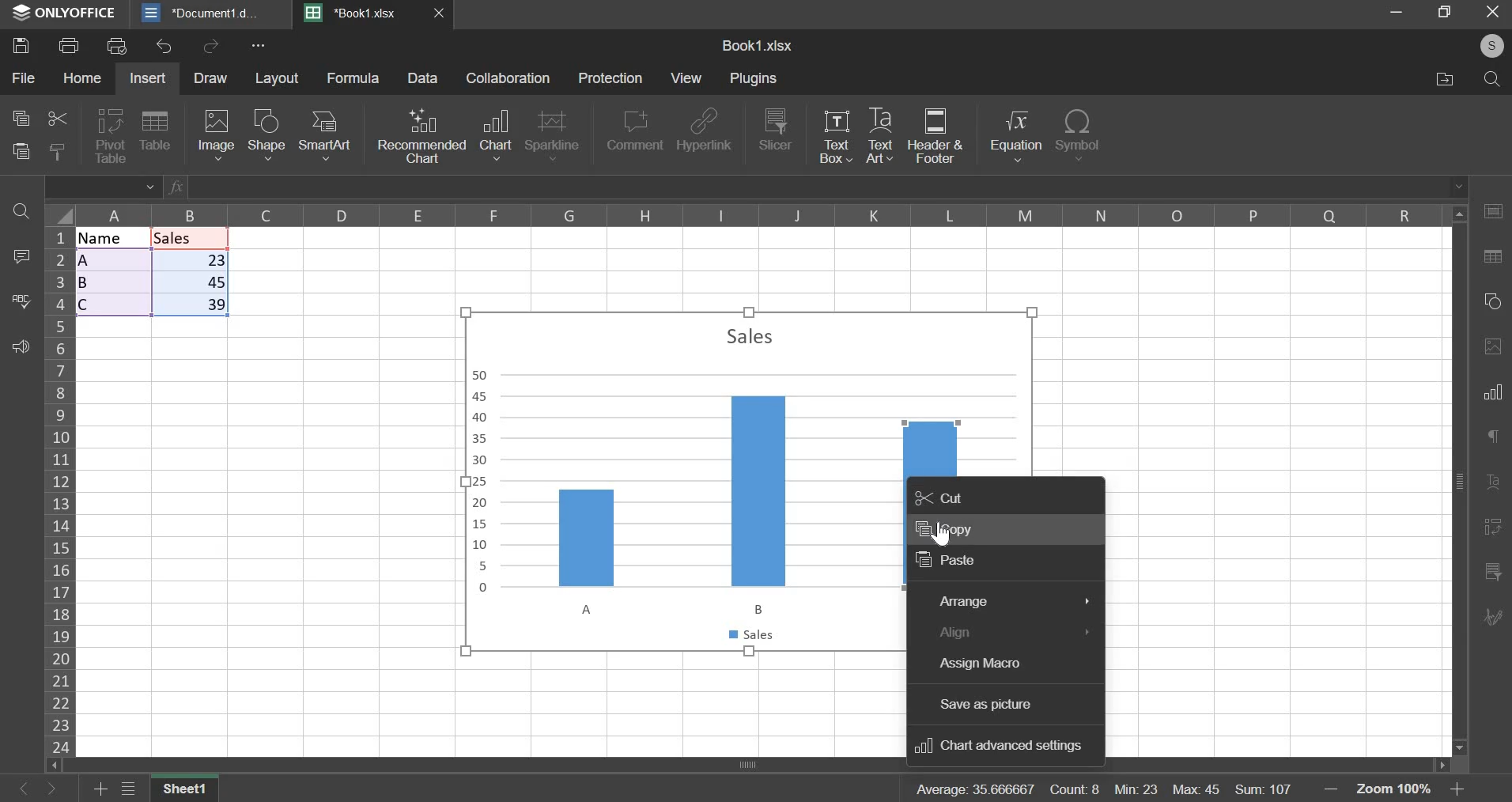  I want to click on slicer, so click(774, 130).